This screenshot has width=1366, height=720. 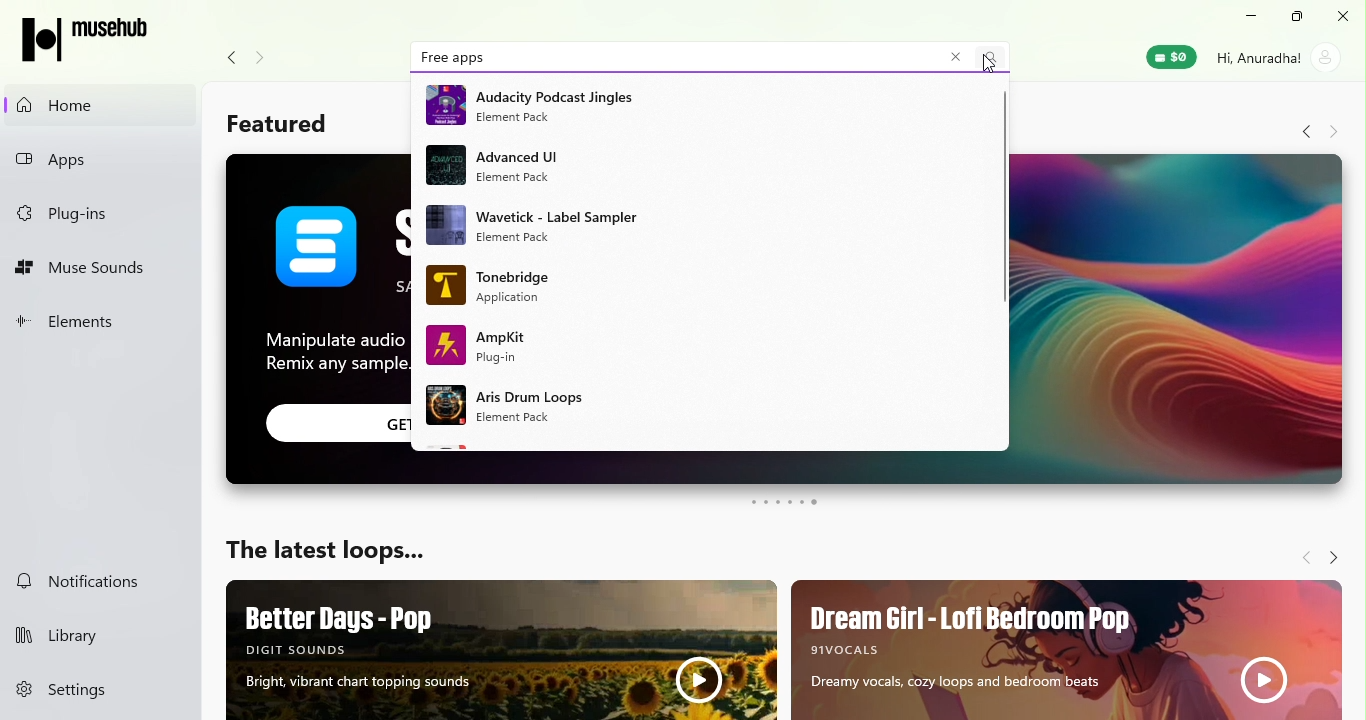 What do you see at coordinates (102, 690) in the screenshot?
I see `Settings` at bounding box center [102, 690].